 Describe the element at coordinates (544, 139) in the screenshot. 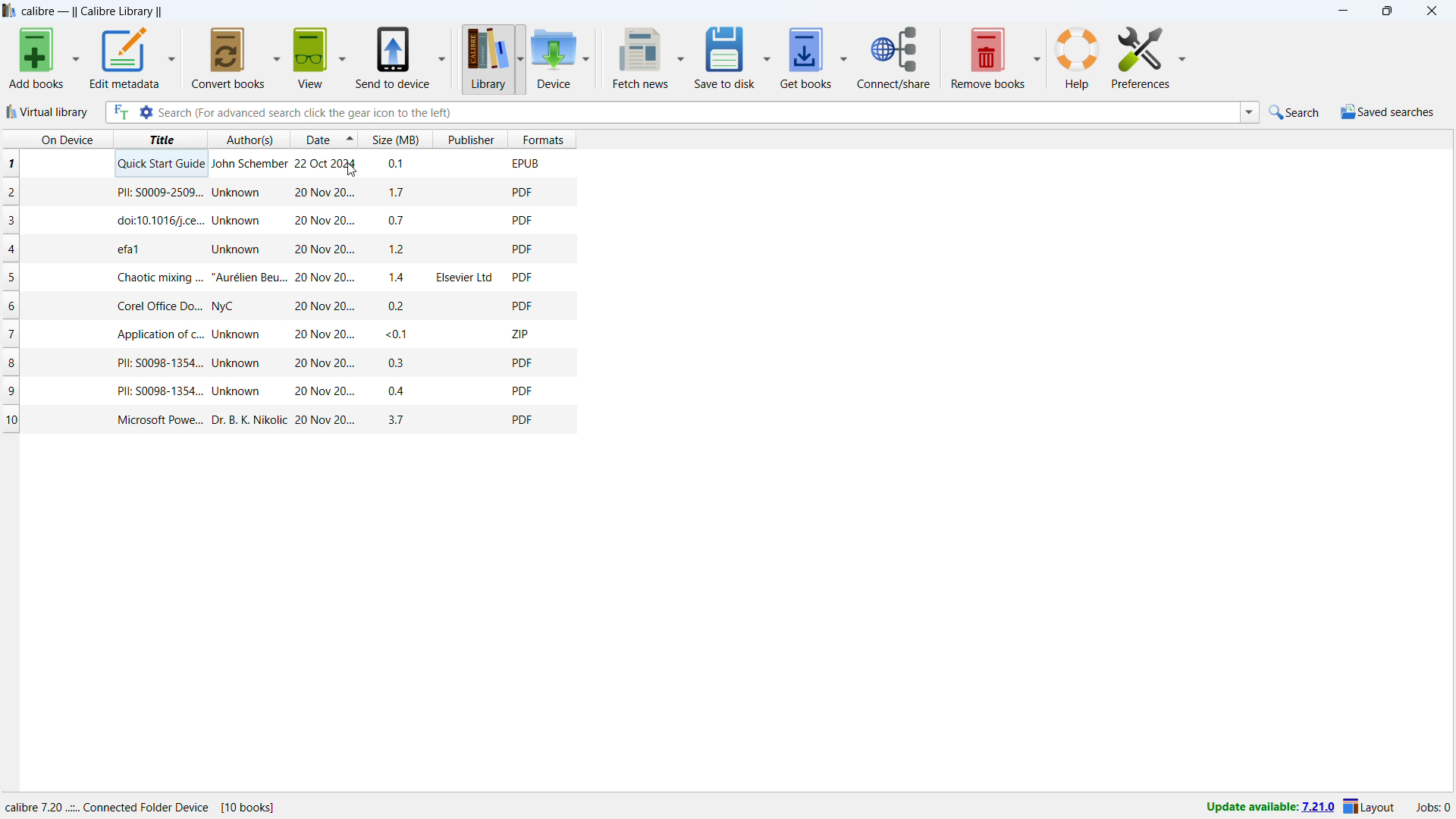

I see `sort by formats` at that location.